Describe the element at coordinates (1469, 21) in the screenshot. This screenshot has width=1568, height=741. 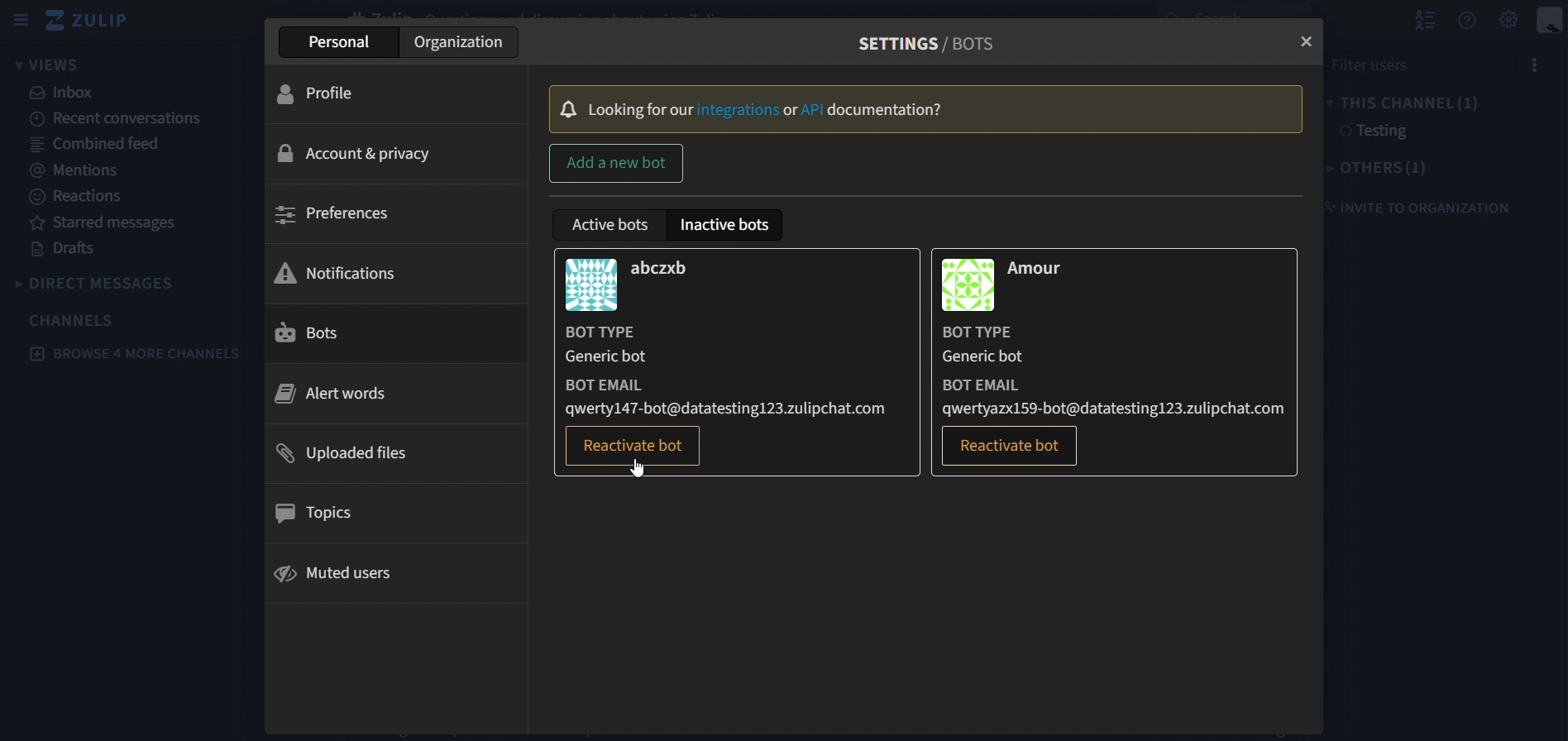
I see `get help` at that location.